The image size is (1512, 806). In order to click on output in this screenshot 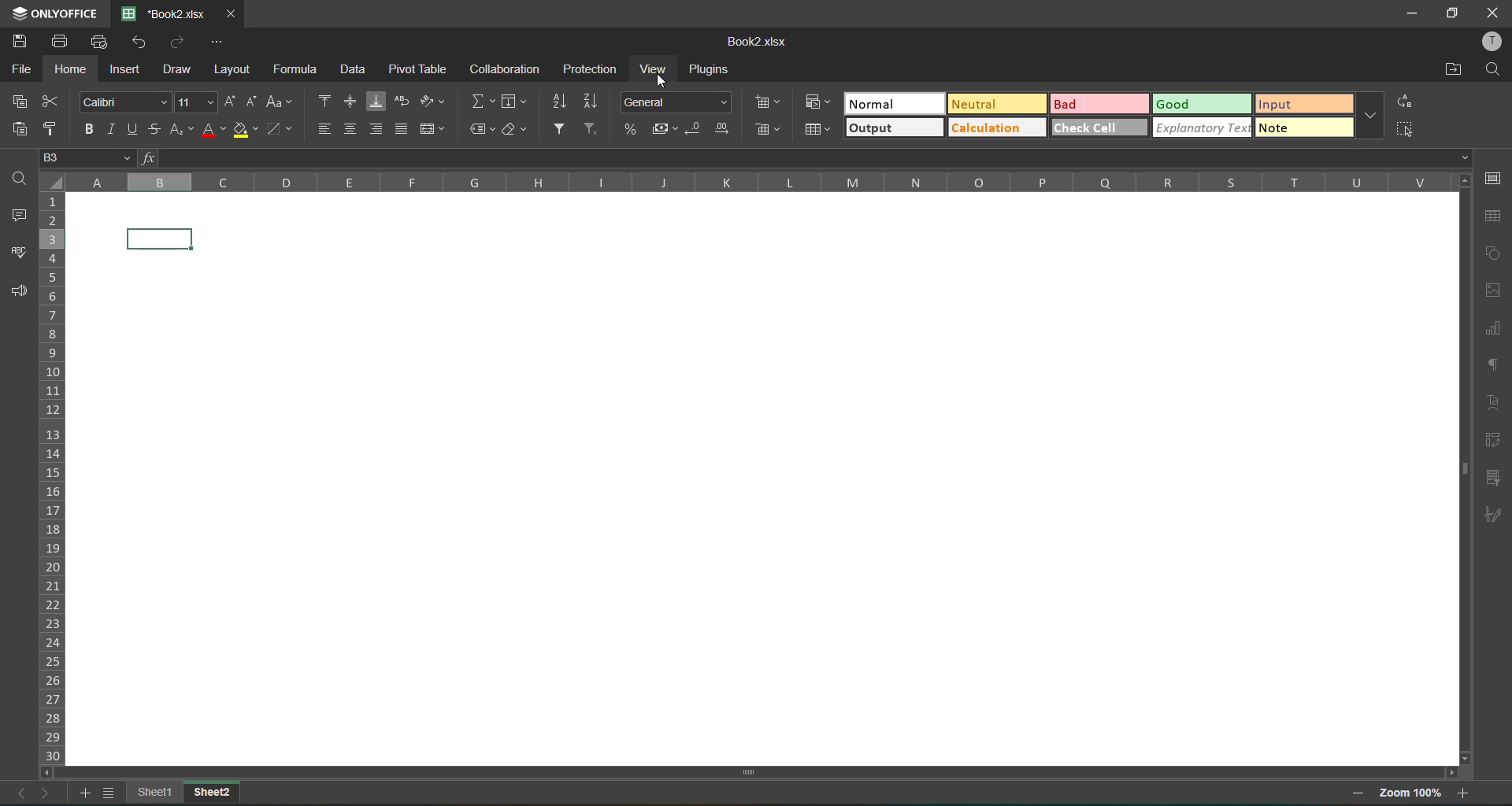, I will do `click(896, 128)`.